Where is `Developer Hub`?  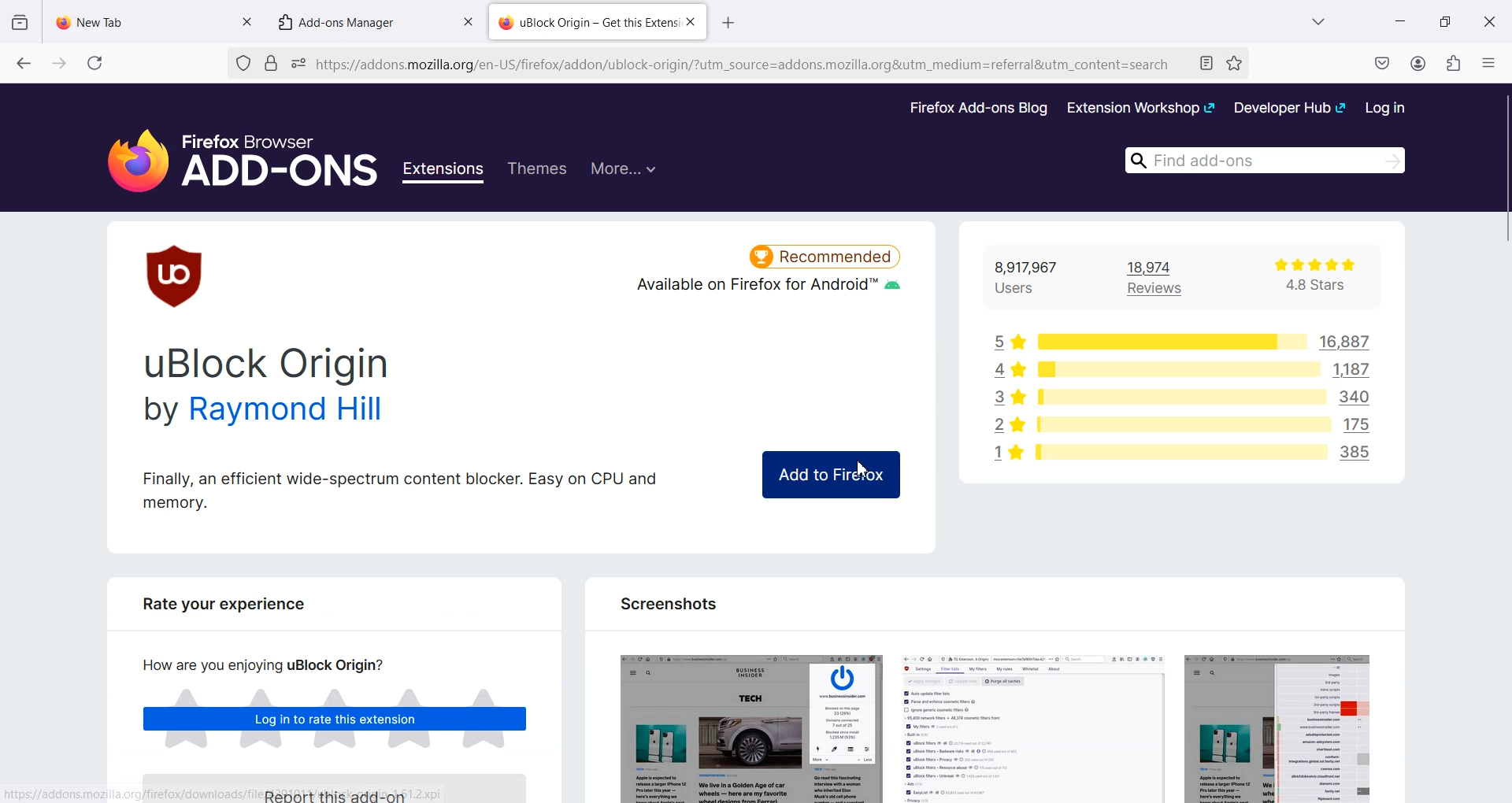
Developer Hub is located at coordinates (1291, 107).